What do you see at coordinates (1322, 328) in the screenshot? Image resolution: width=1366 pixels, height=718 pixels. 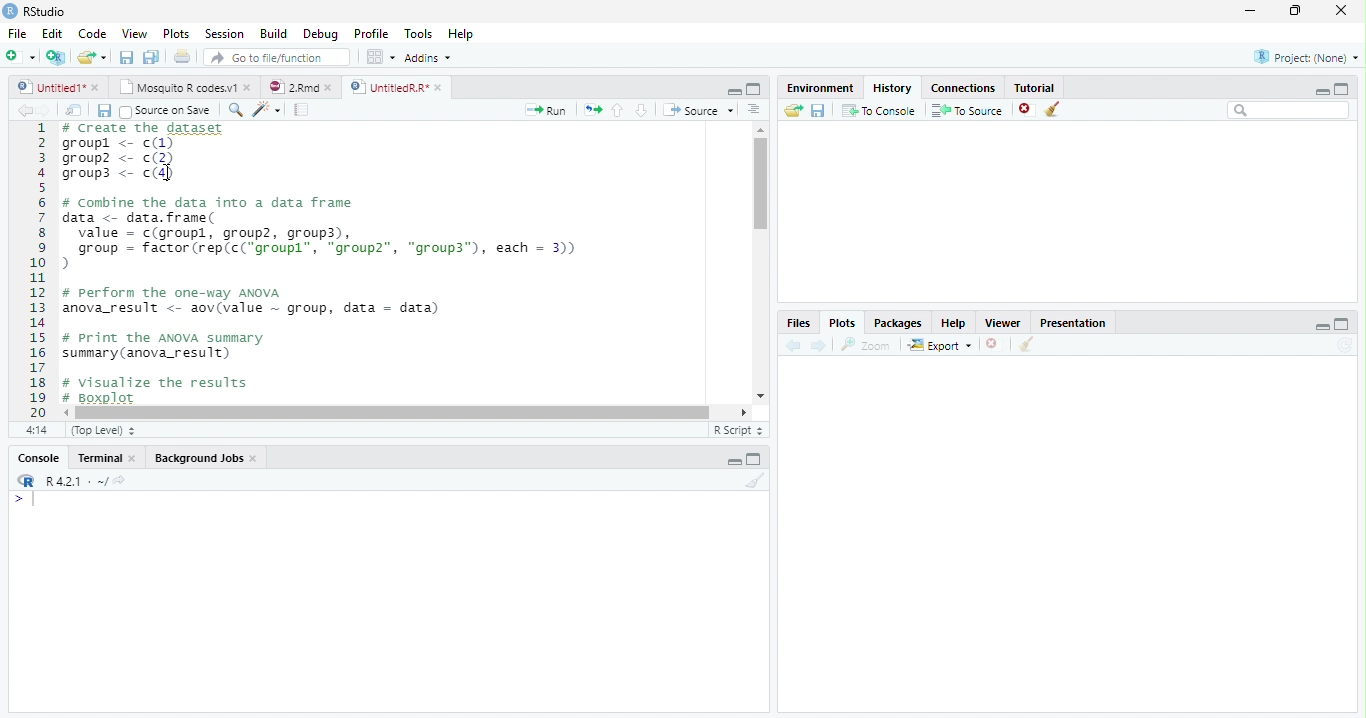 I see `Minimize` at bounding box center [1322, 328].